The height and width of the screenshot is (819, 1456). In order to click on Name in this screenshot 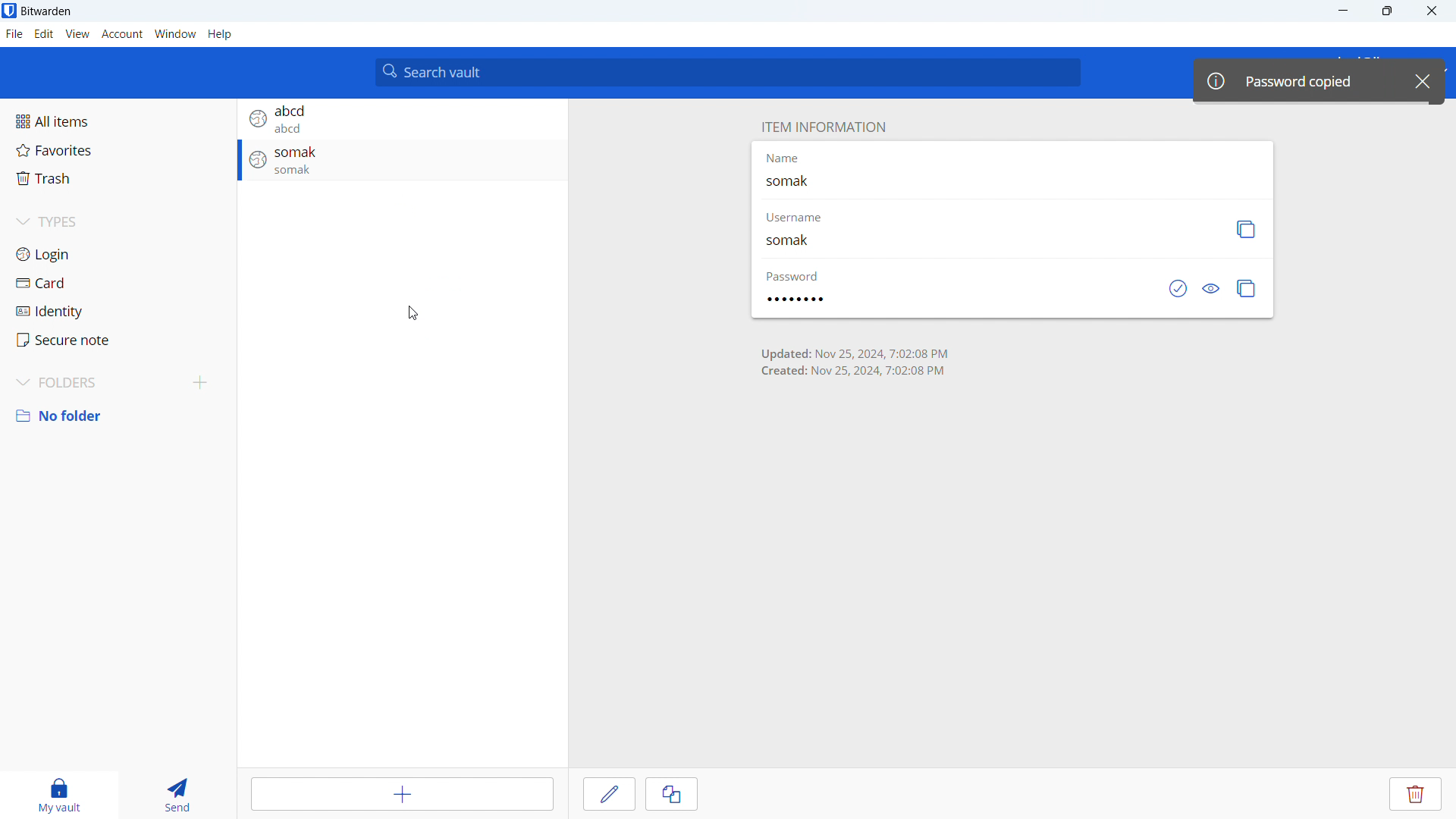, I will do `click(783, 157)`.